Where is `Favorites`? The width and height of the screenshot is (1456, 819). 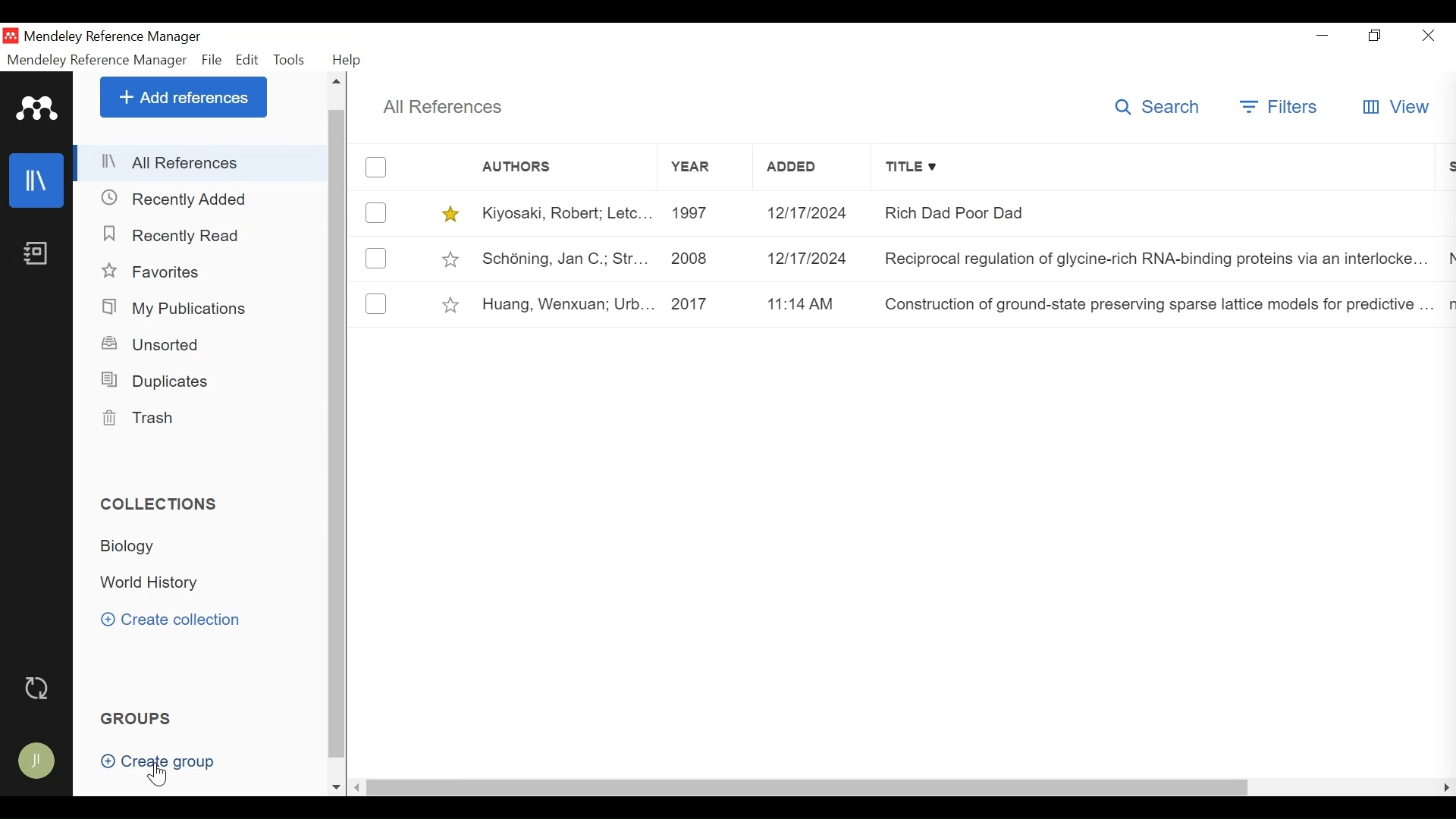 Favorites is located at coordinates (165, 271).